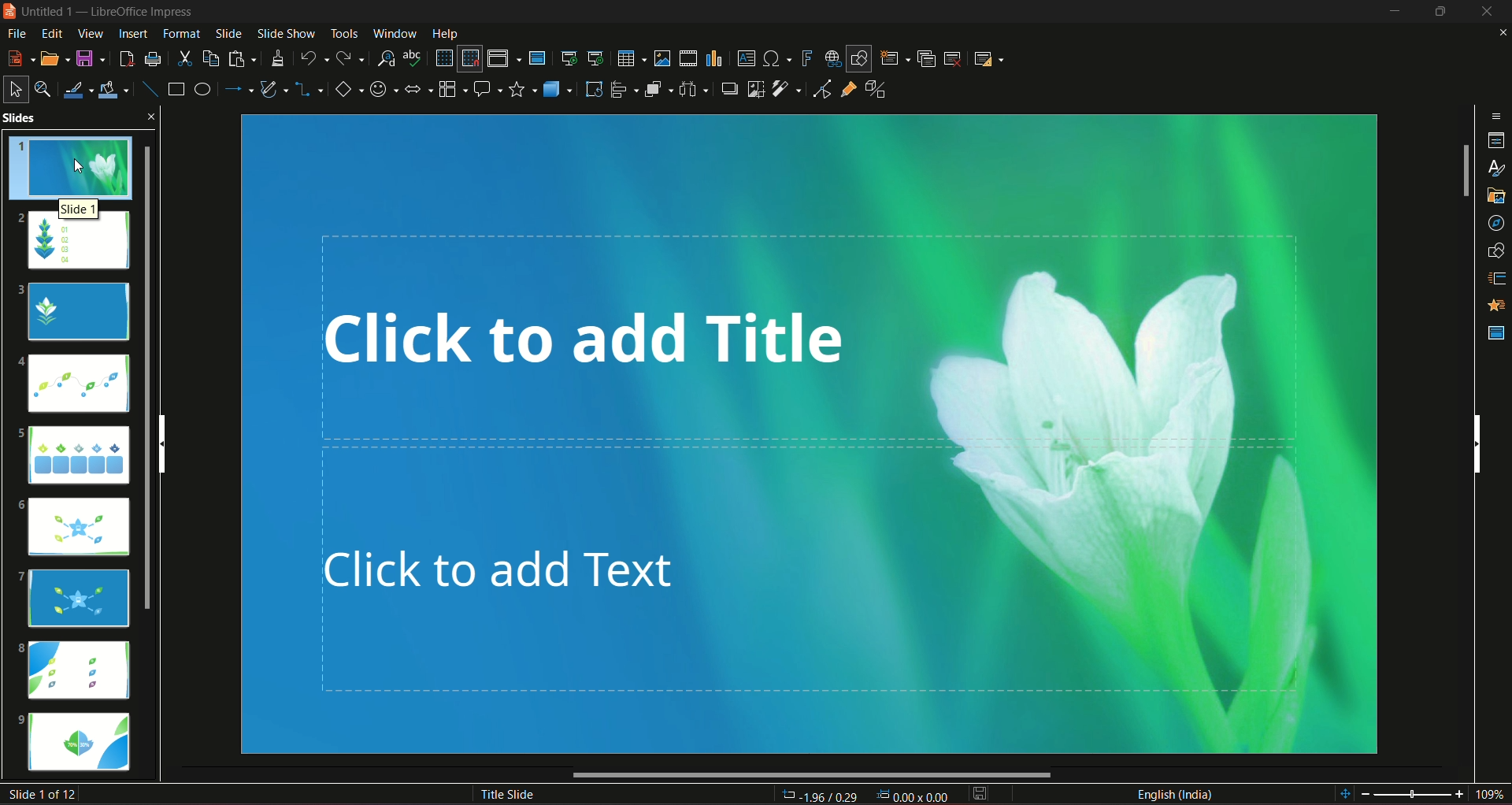 The width and height of the screenshot is (1512, 805). Describe the element at coordinates (1494, 198) in the screenshot. I see `gallery` at that location.